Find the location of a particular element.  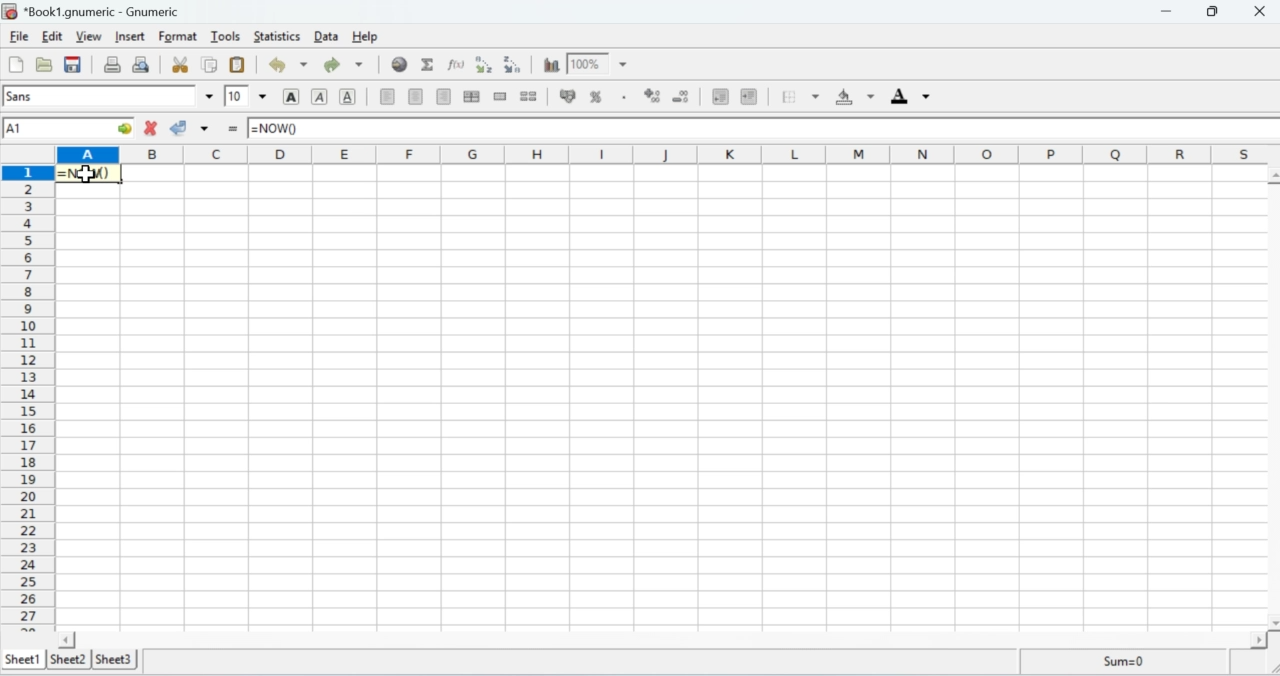

Align right is located at coordinates (446, 97).